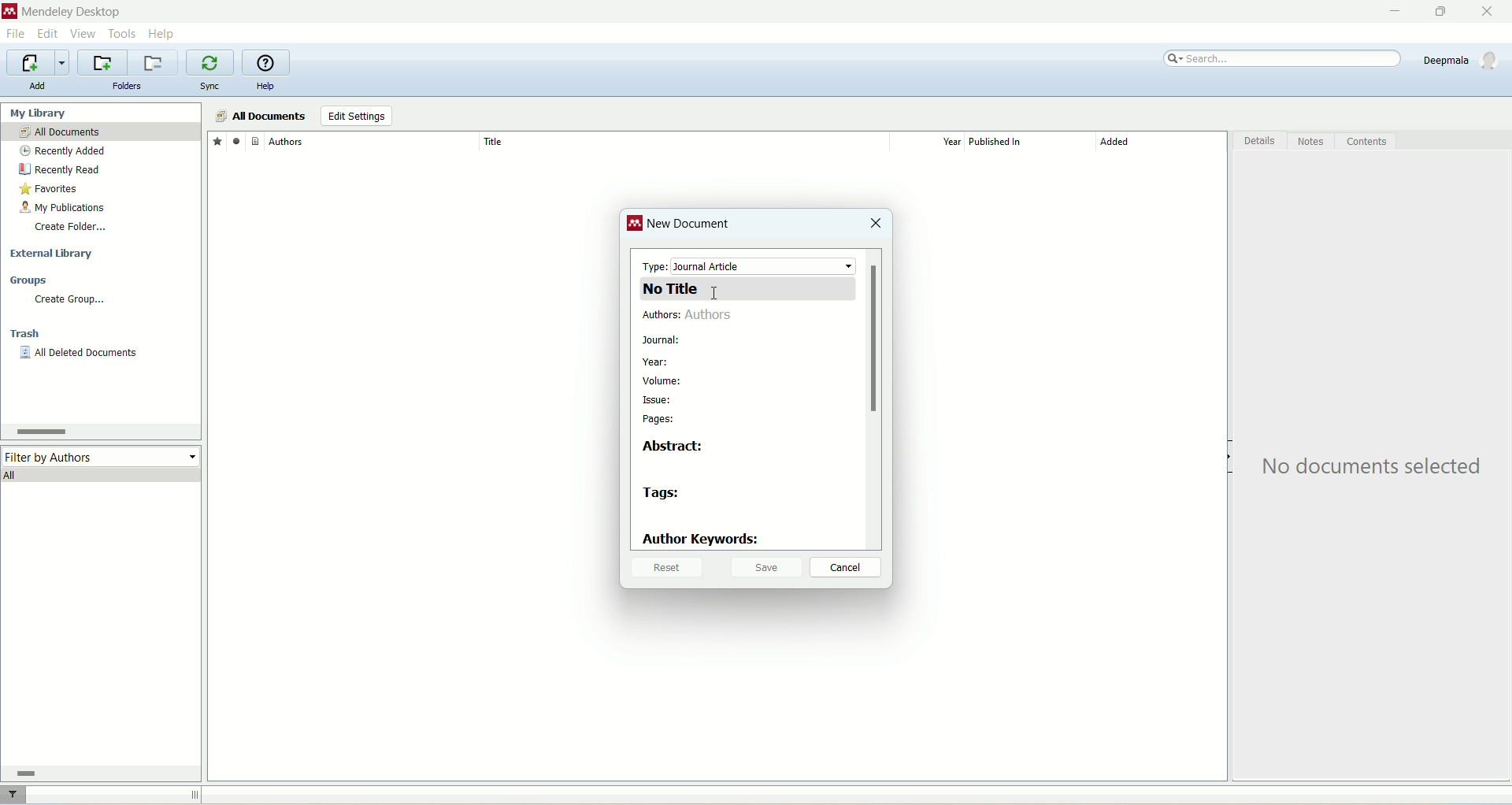 Image resolution: width=1512 pixels, height=805 pixels. What do you see at coordinates (54, 254) in the screenshot?
I see `external library` at bounding box center [54, 254].